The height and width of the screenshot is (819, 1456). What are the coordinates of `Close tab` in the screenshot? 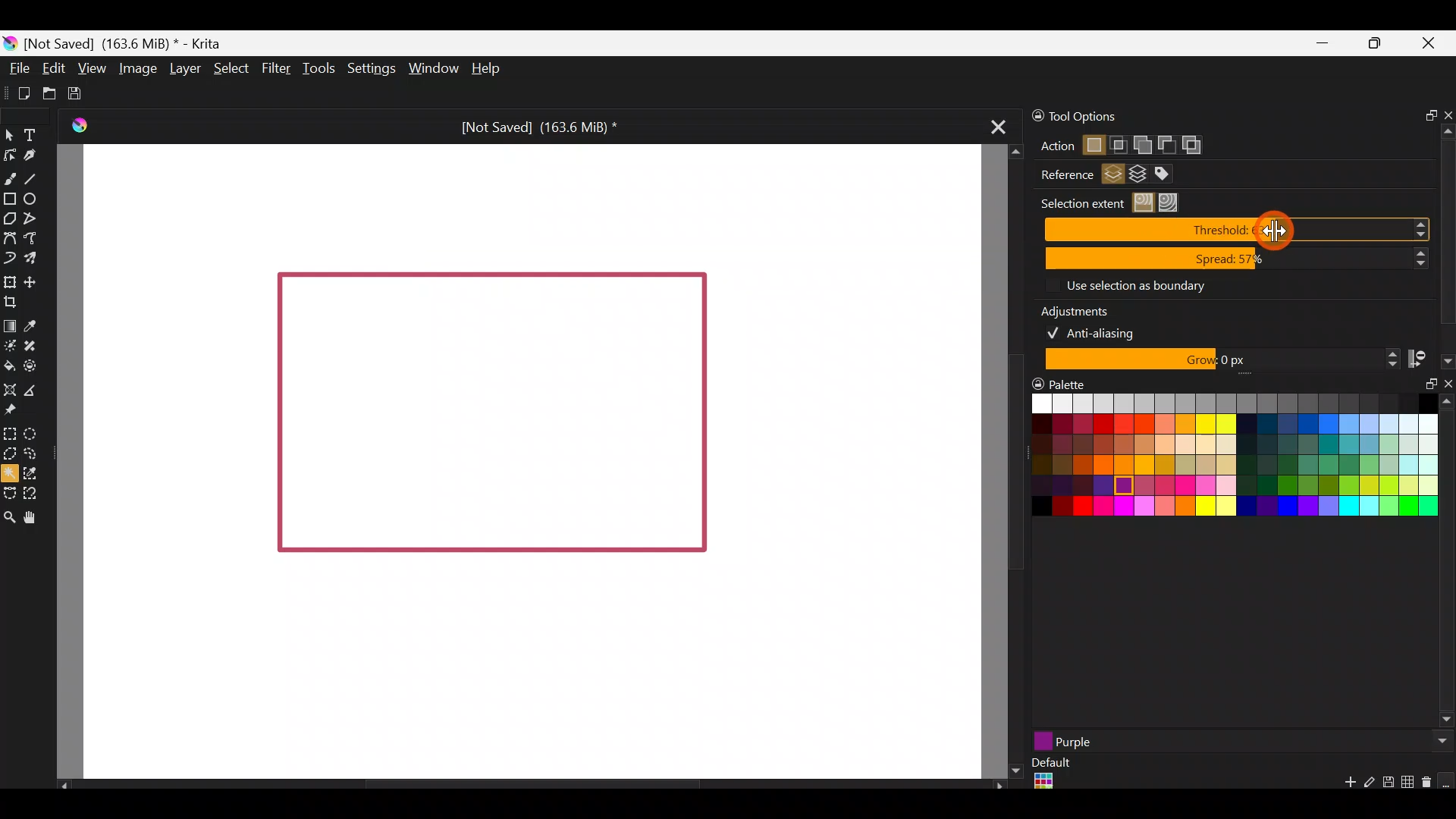 It's located at (999, 131).